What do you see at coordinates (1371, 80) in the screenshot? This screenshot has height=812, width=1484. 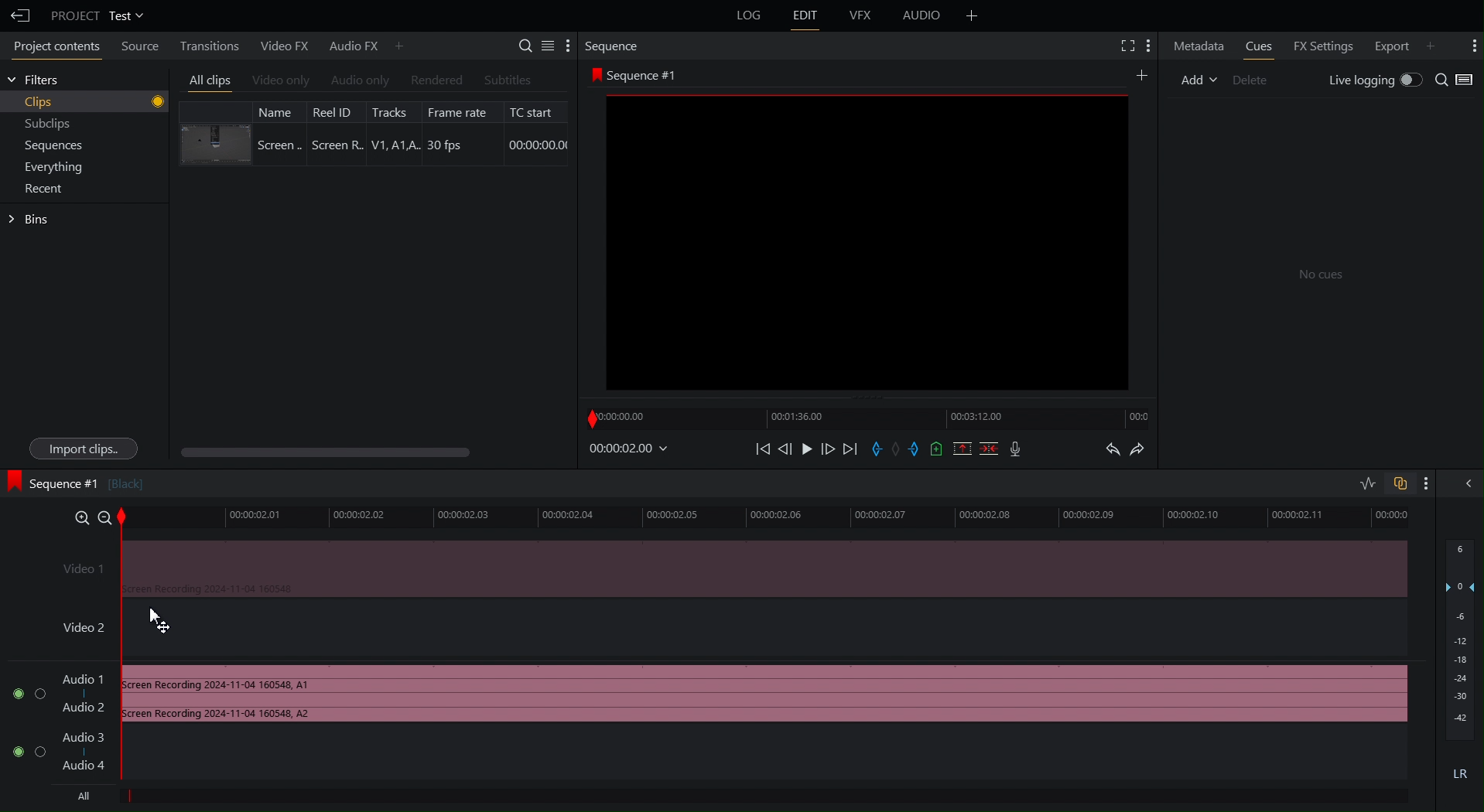 I see `Live Logging` at bounding box center [1371, 80].